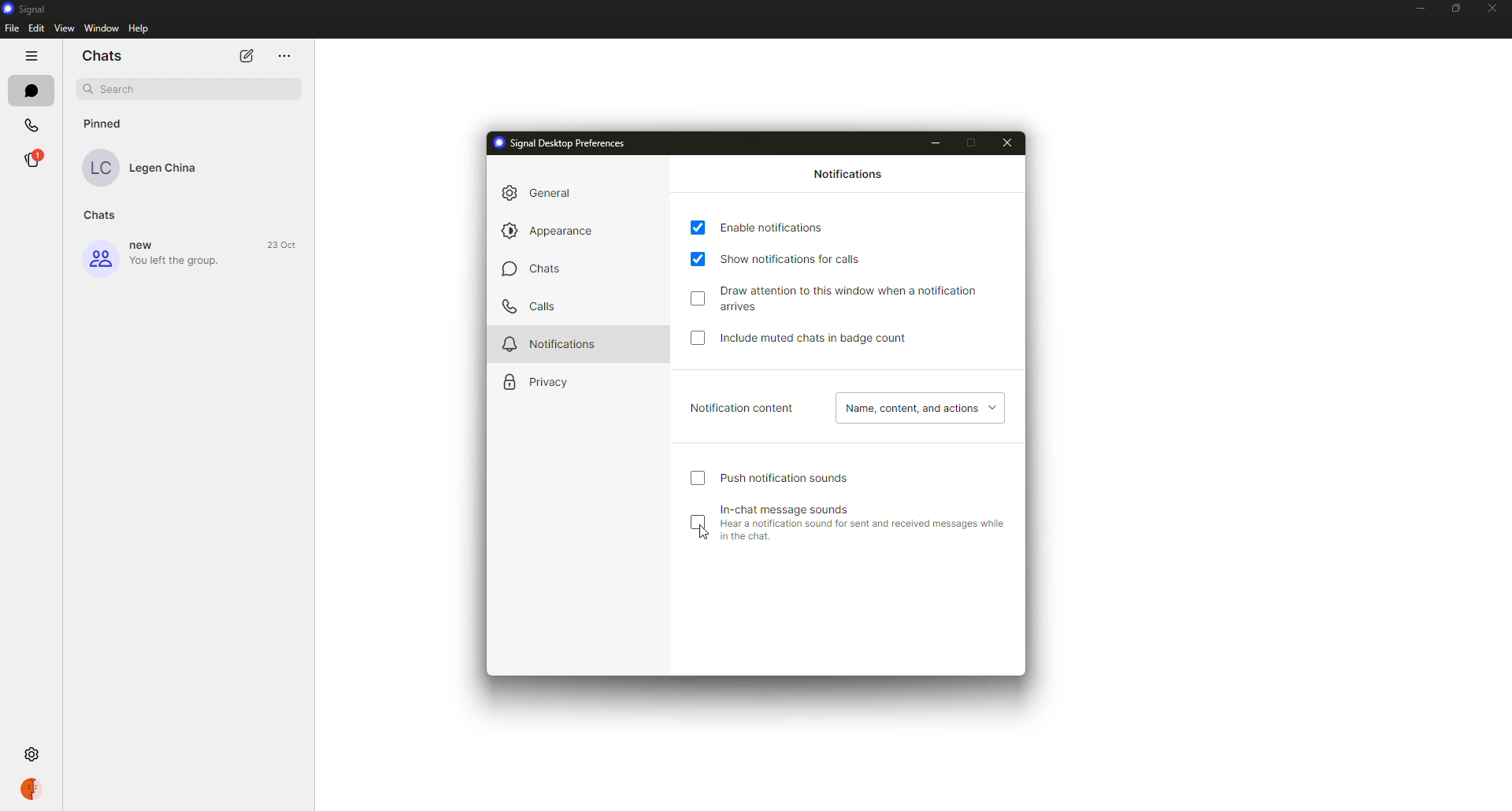 The image size is (1512, 811). Describe the element at coordinates (191, 90) in the screenshot. I see `search` at that location.